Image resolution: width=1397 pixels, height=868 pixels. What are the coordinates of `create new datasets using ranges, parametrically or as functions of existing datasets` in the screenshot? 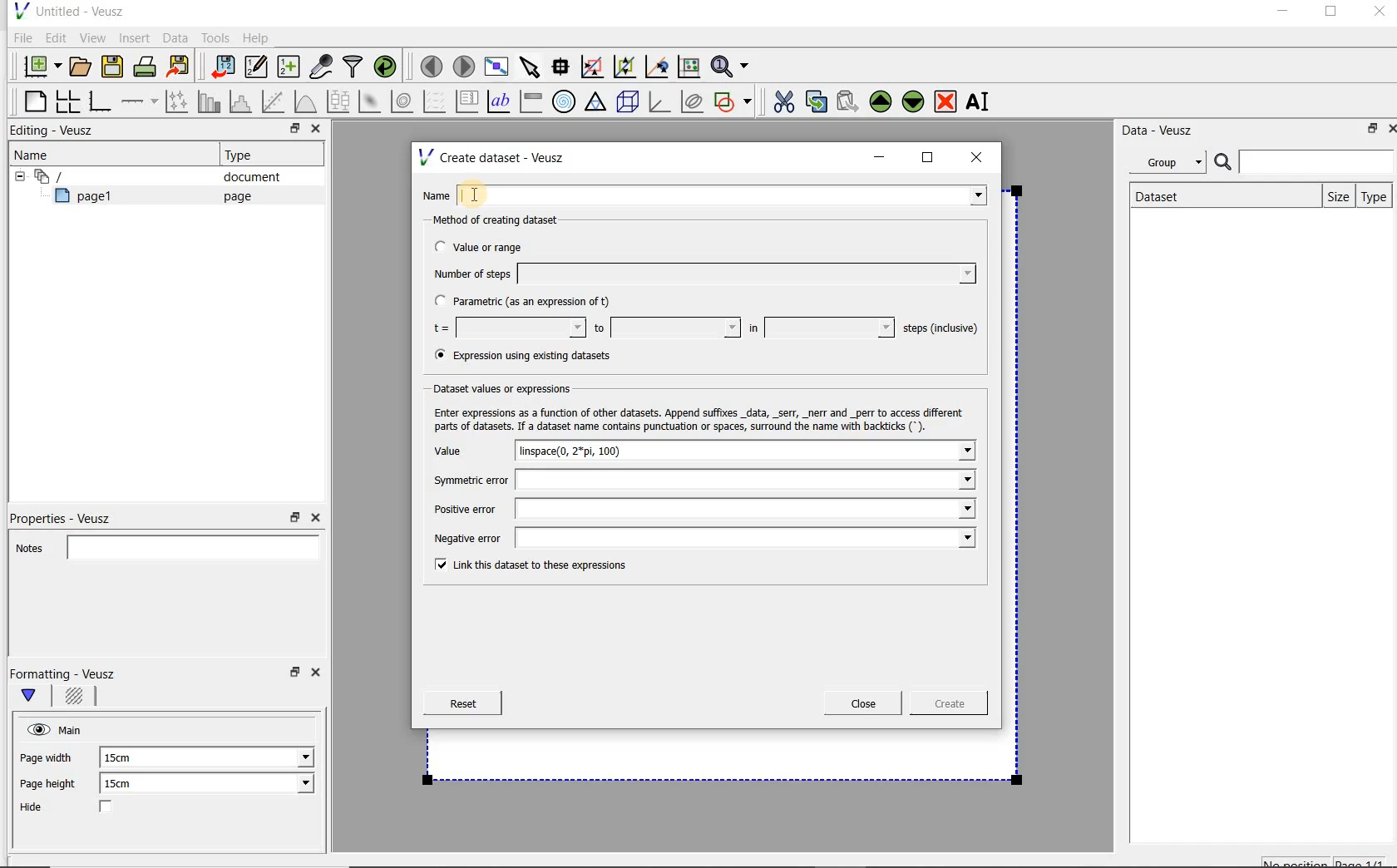 It's located at (289, 67).